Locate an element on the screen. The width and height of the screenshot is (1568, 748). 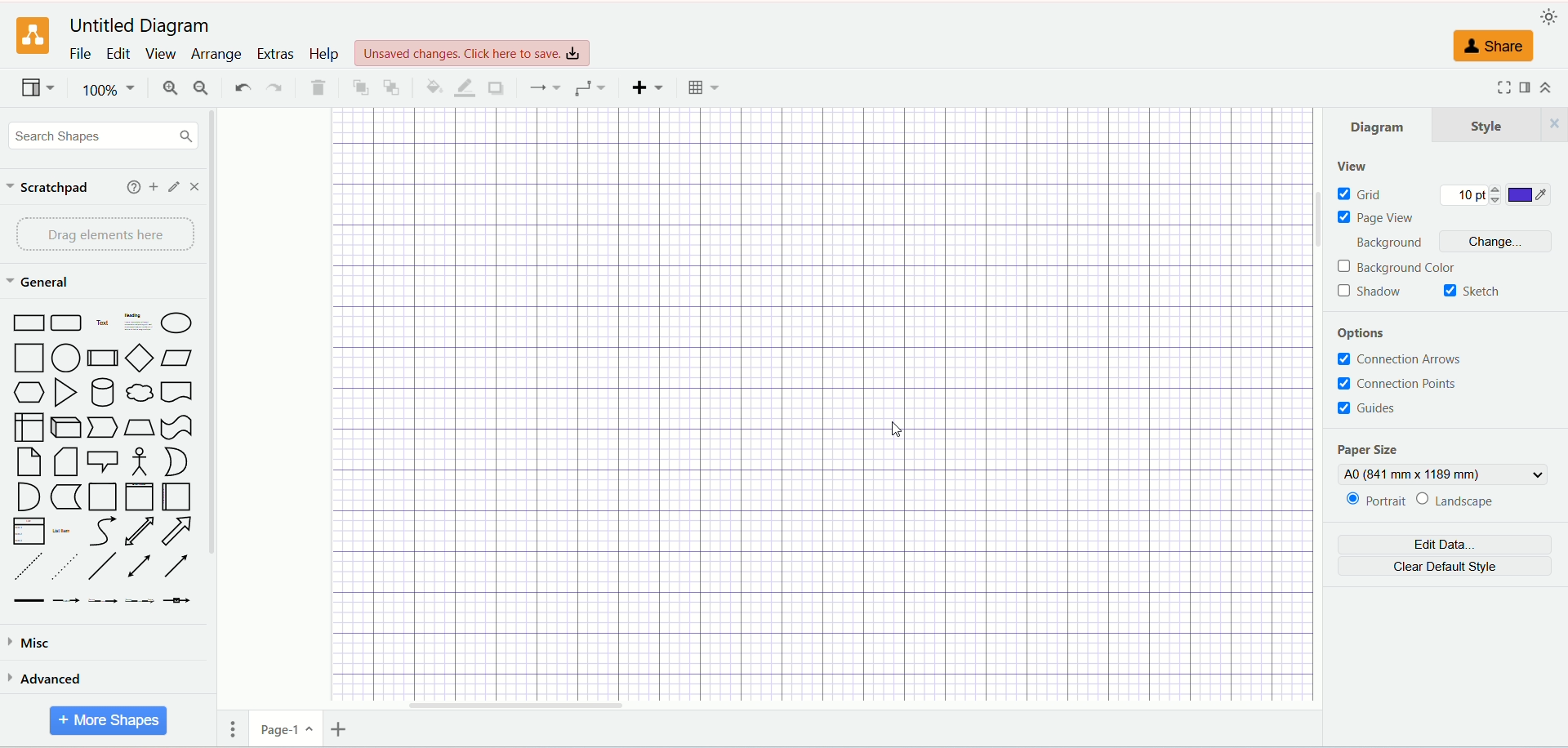
connection points is located at coordinates (1399, 385).